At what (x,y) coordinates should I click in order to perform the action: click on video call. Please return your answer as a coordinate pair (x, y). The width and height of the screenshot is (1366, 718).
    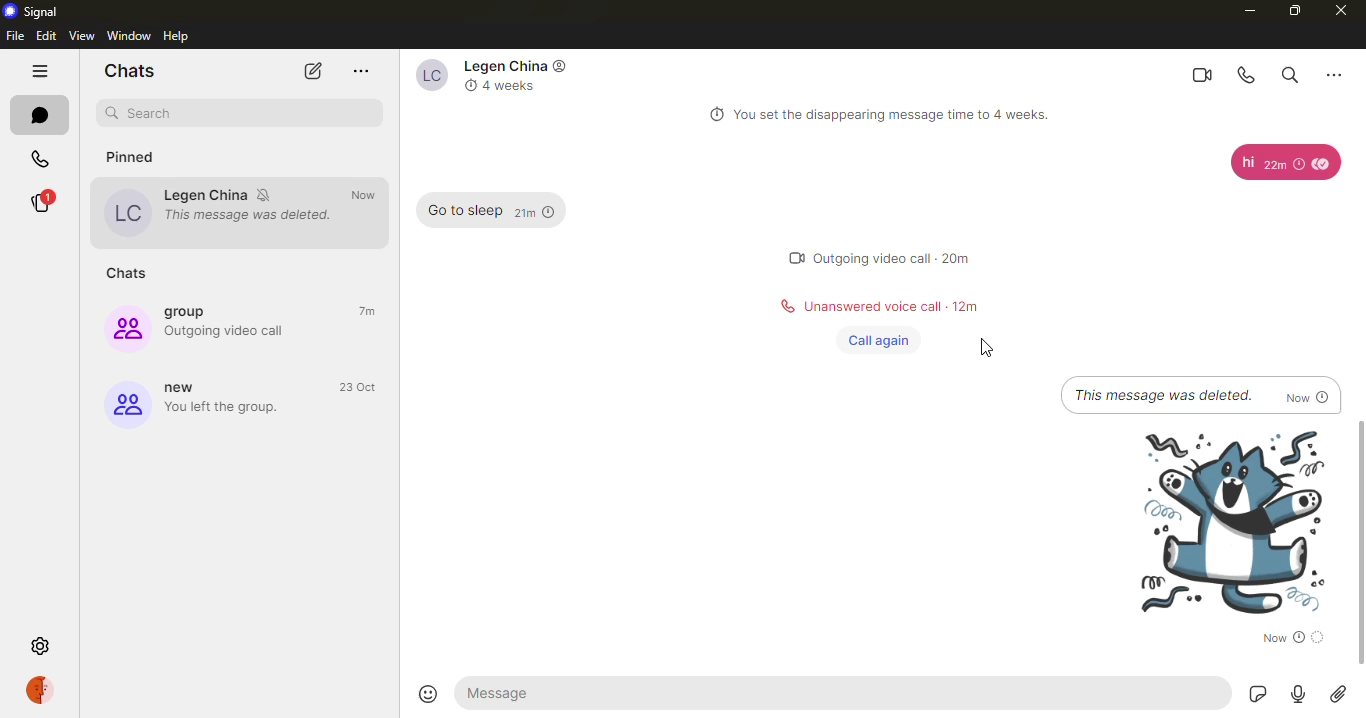
    Looking at the image, I should click on (1196, 74).